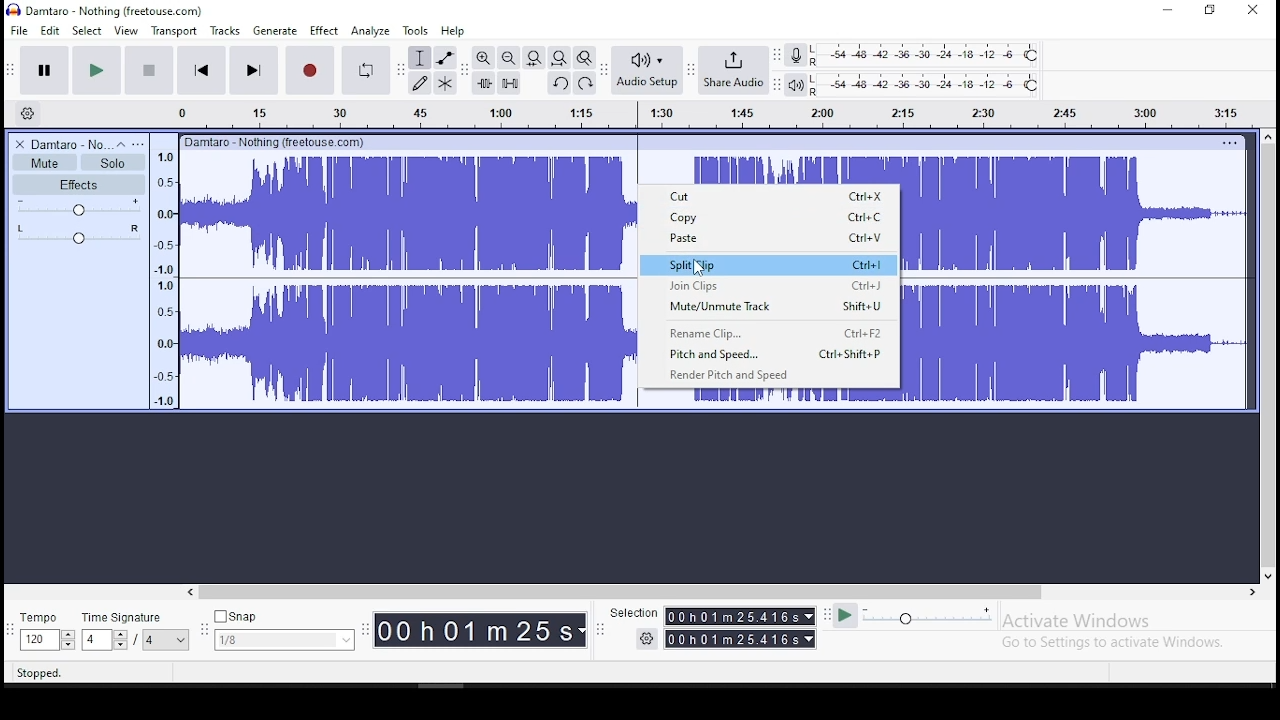 Image resolution: width=1280 pixels, height=720 pixels. What do you see at coordinates (28, 114) in the screenshot?
I see `timeline settings` at bounding box center [28, 114].